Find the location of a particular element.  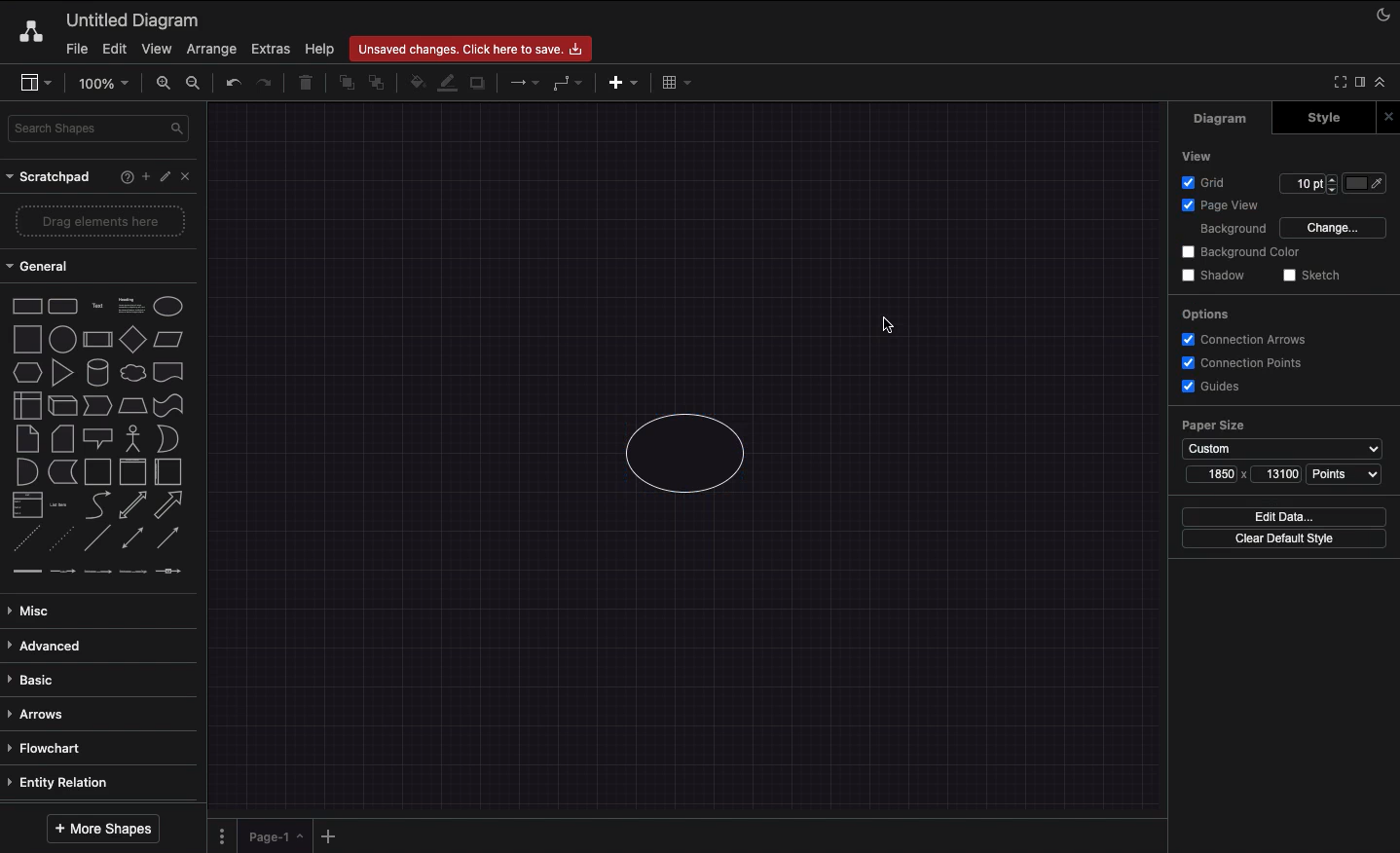

10 pt is located at coordinates (1307, 181).